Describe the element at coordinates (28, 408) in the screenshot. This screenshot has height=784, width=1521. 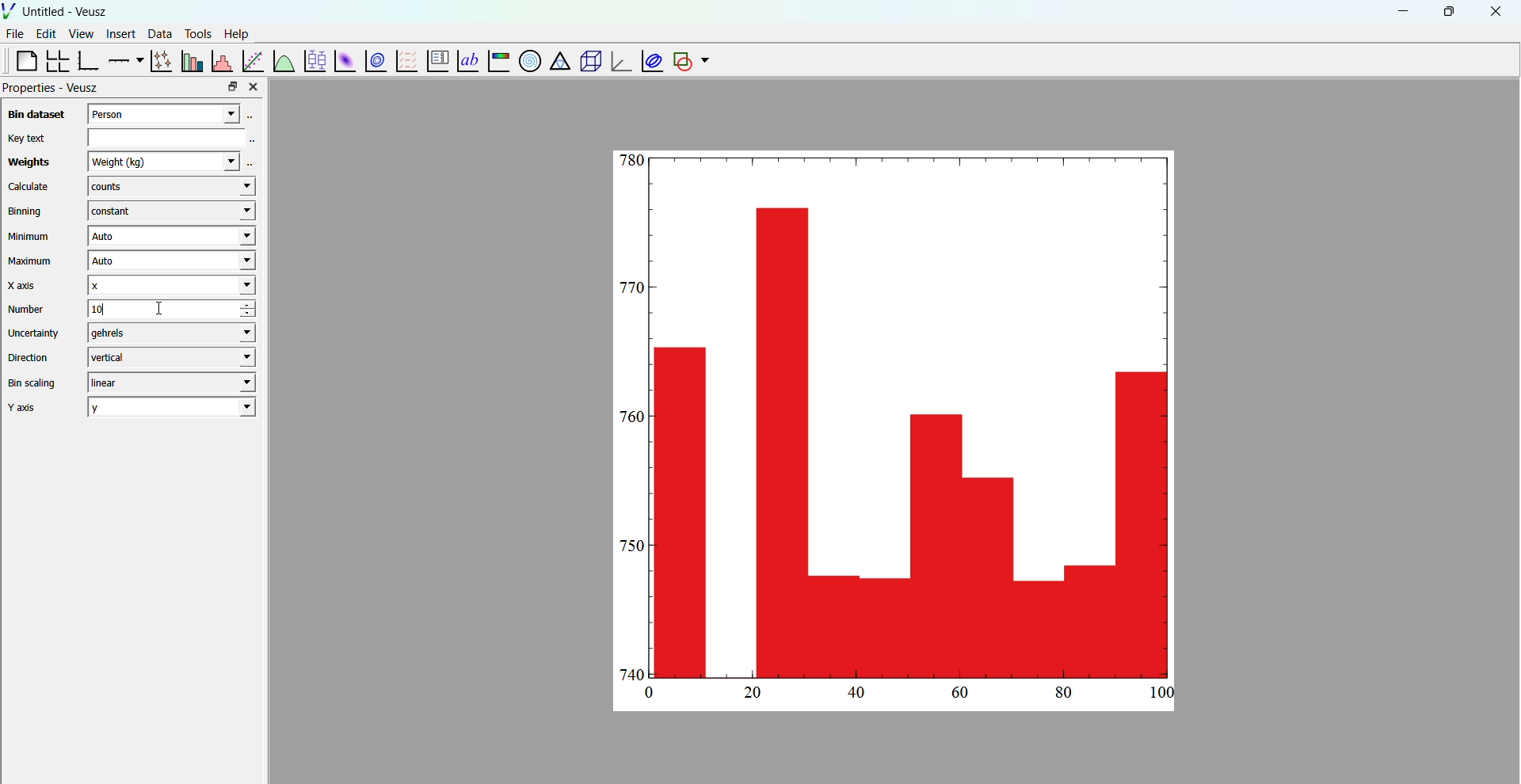
I see `Y axis` at that location.